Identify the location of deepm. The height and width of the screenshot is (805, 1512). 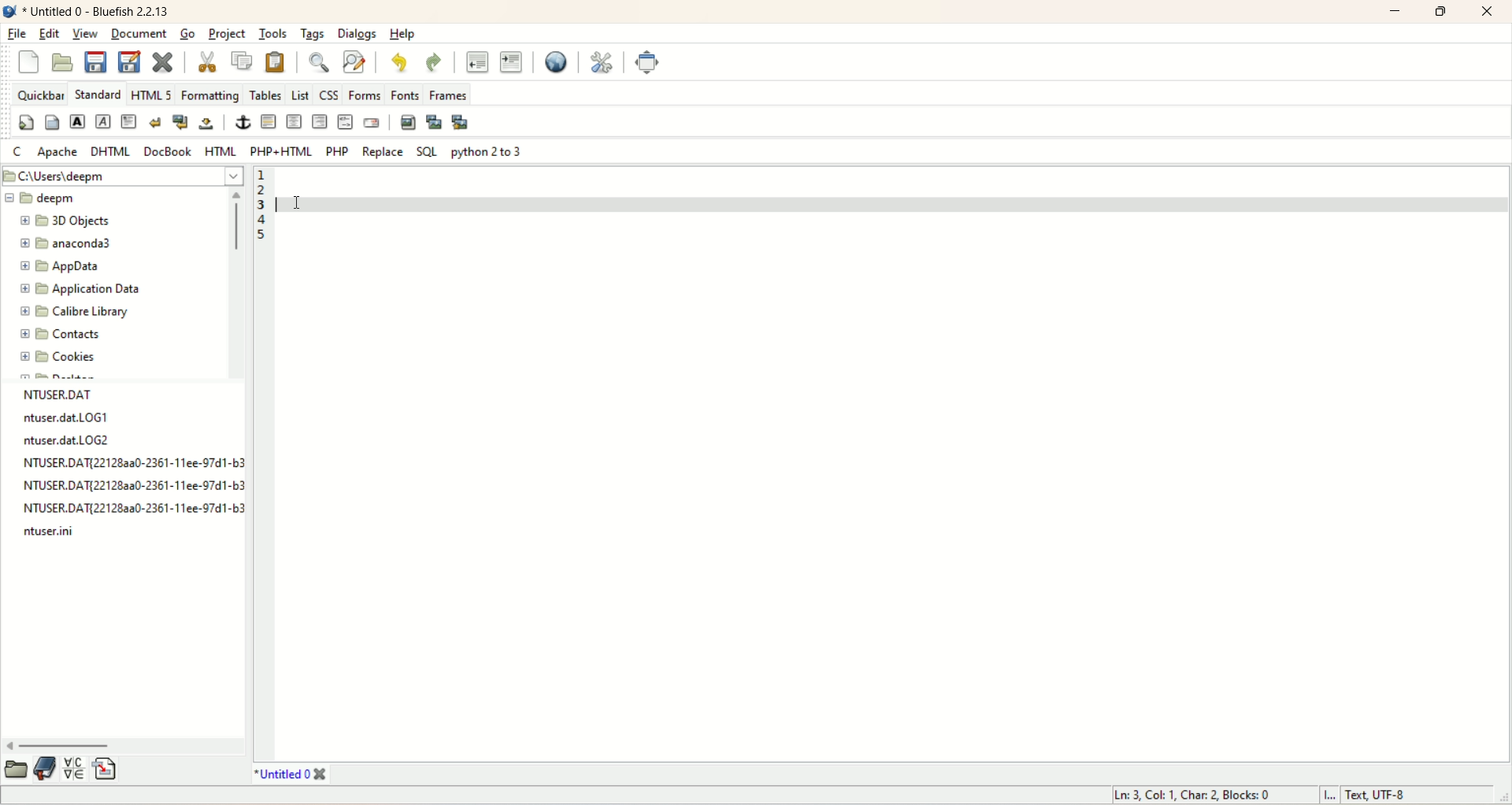
(43, 199).